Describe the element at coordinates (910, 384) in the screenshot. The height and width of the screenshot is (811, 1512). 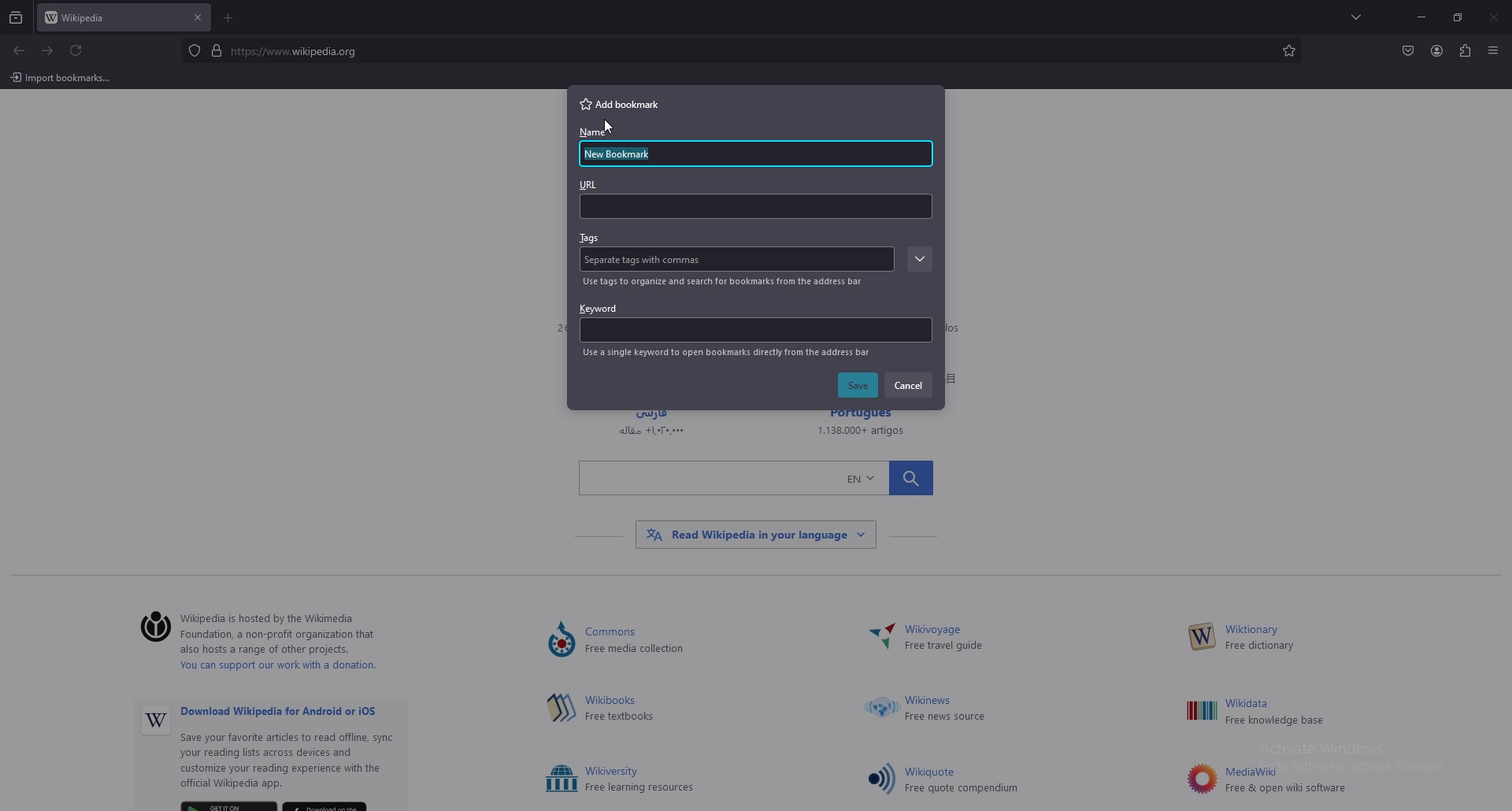
I see `cancel` at that location.